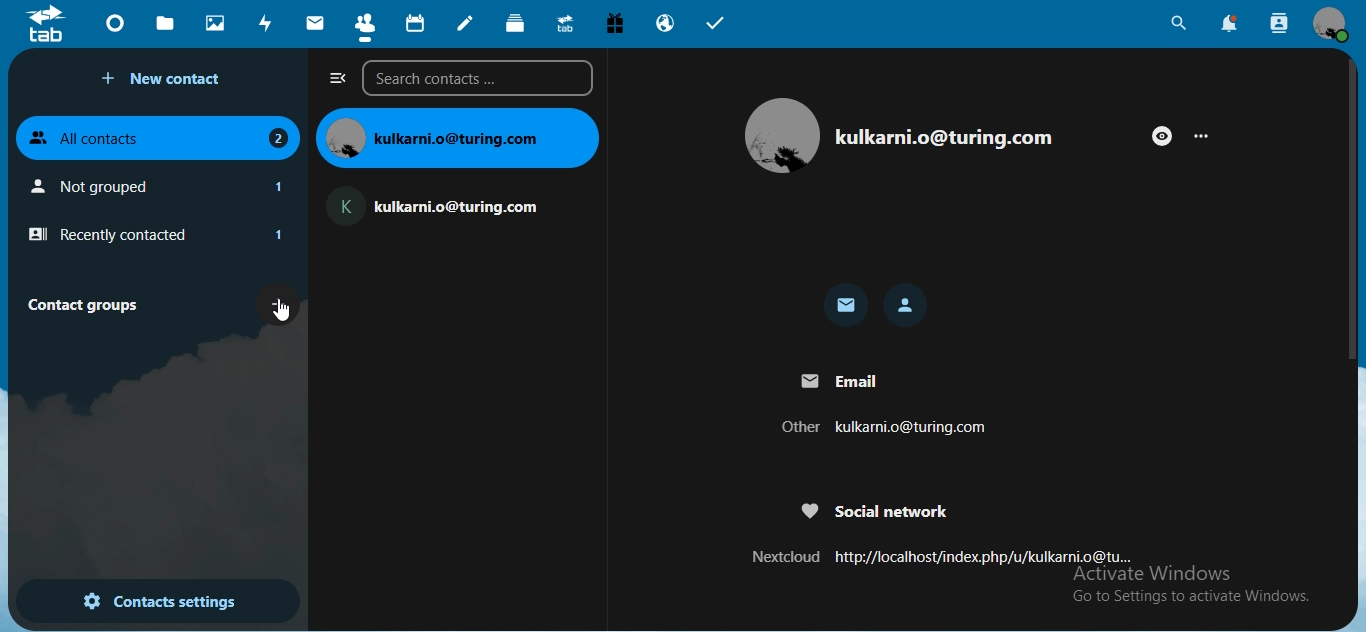 This screenshot has height=632, width=1366. What do you see at coordinates (417, 24) in the screenshot?
I see `calendar` at bounding box center [417, 24].